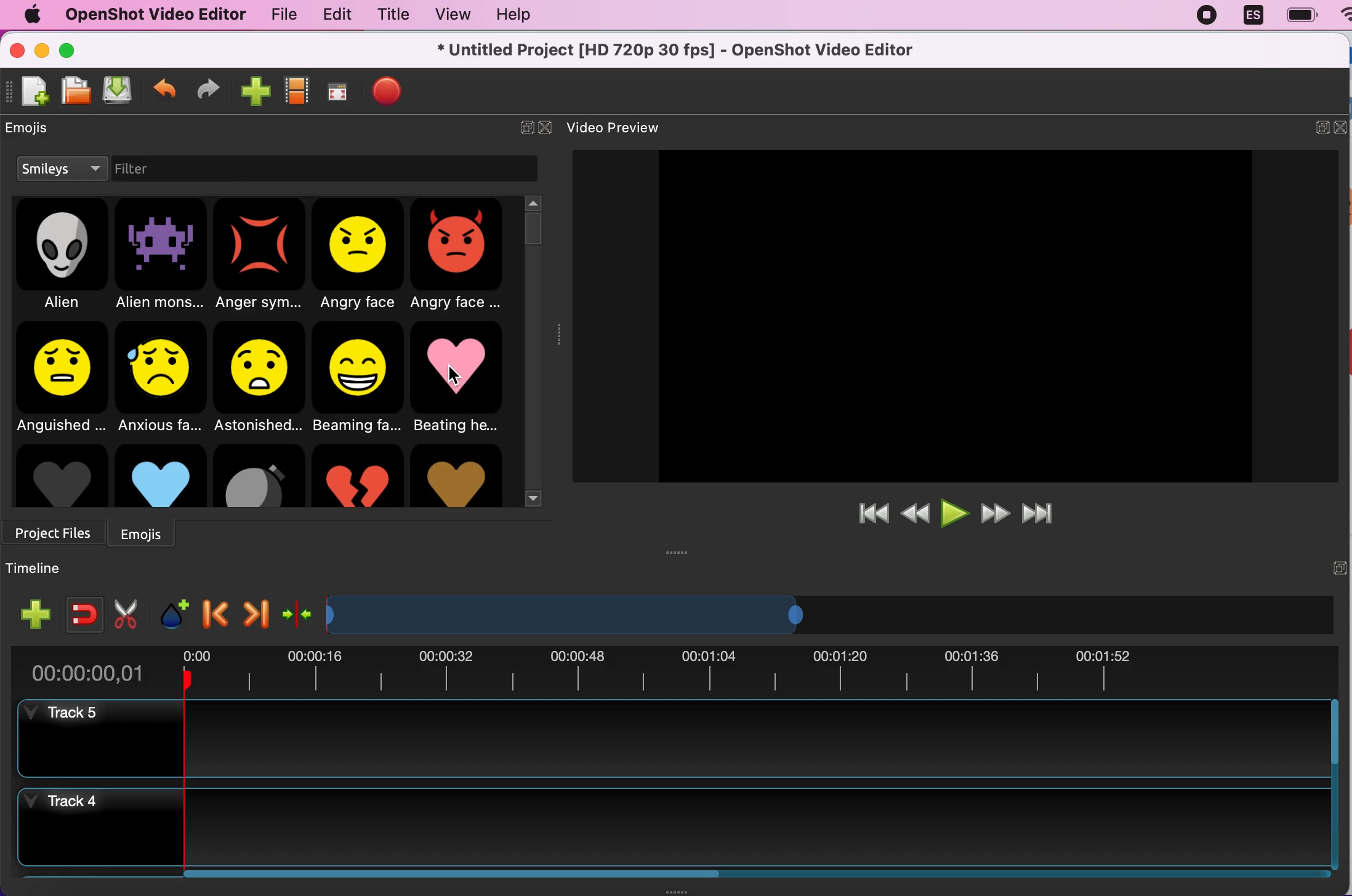  I want to click on choose profiles, so click(297, 91).